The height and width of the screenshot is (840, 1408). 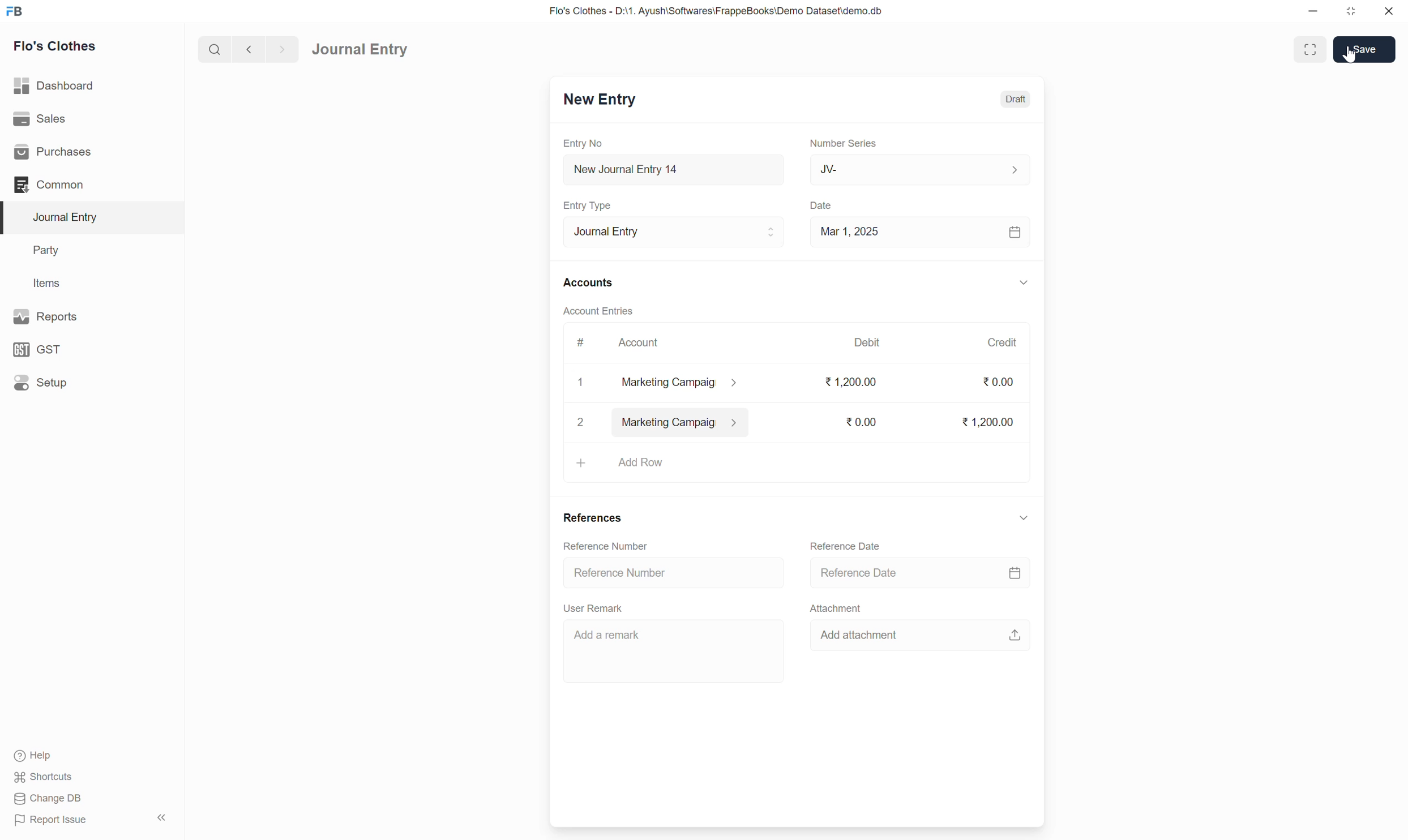 I want to click on Sales, so click(x=39, y=117).